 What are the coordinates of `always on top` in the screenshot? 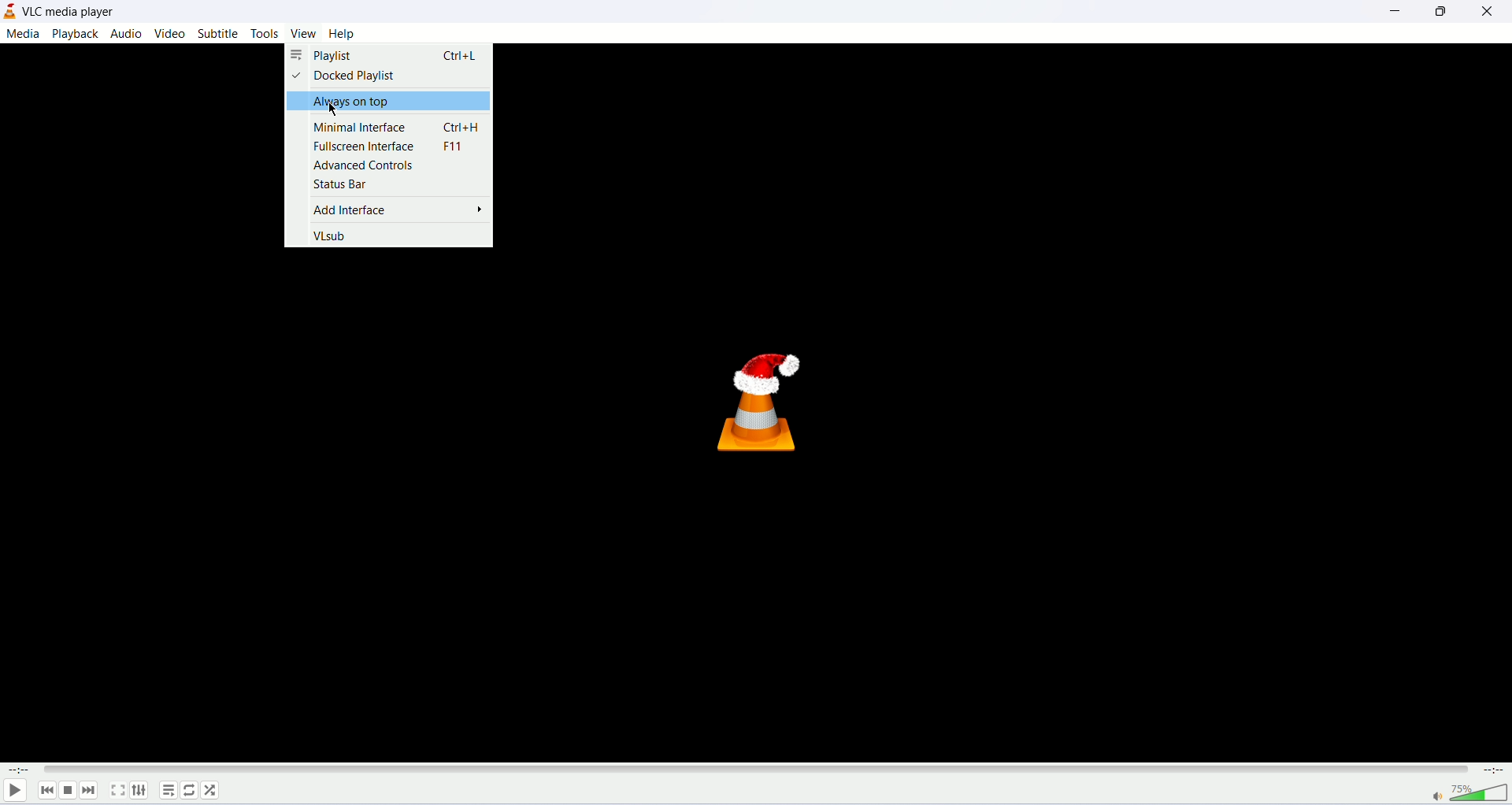 It's located at (390, 101).